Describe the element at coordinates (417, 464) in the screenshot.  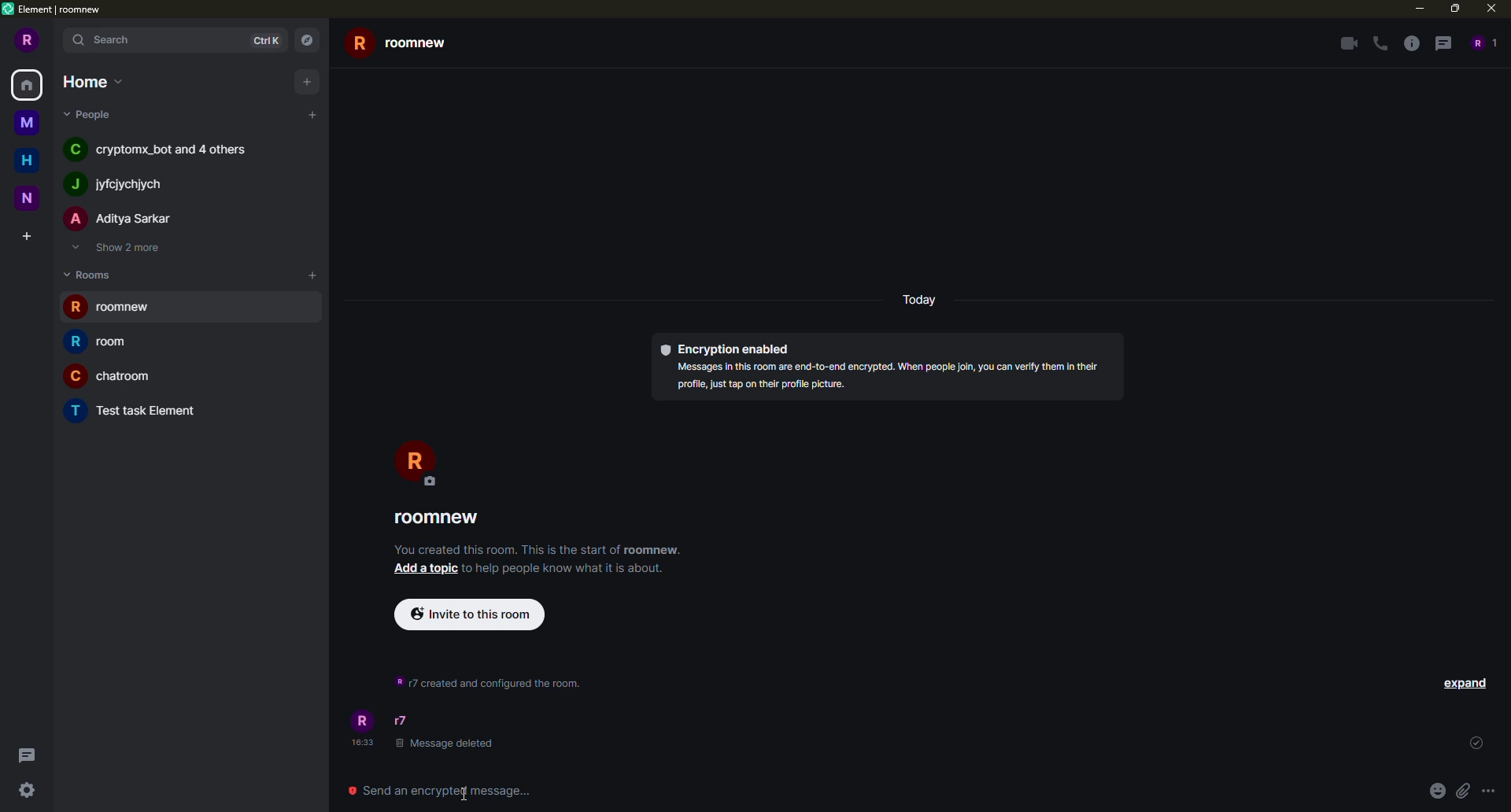
I see `profile` at that location.